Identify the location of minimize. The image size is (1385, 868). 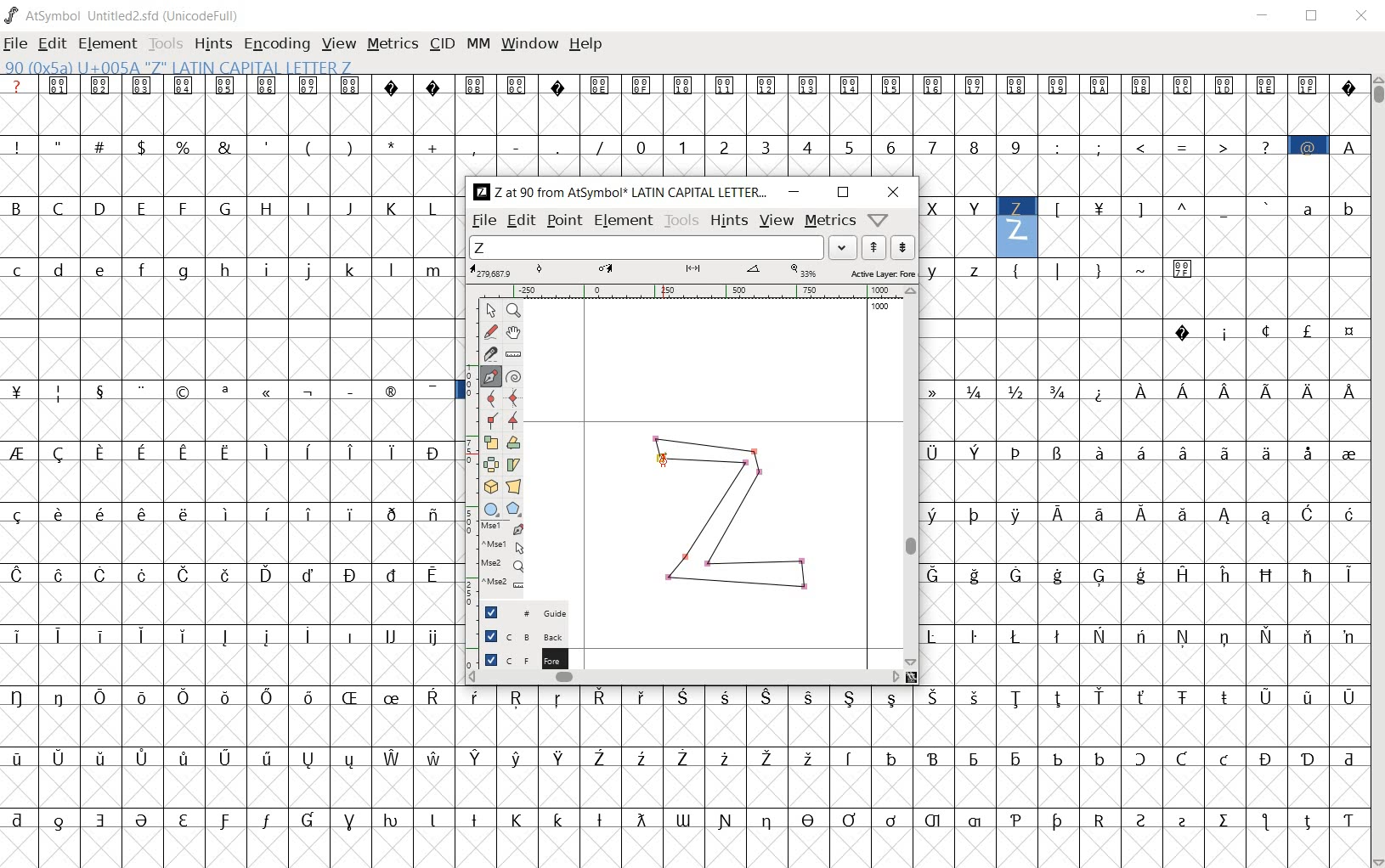
(795, 192).